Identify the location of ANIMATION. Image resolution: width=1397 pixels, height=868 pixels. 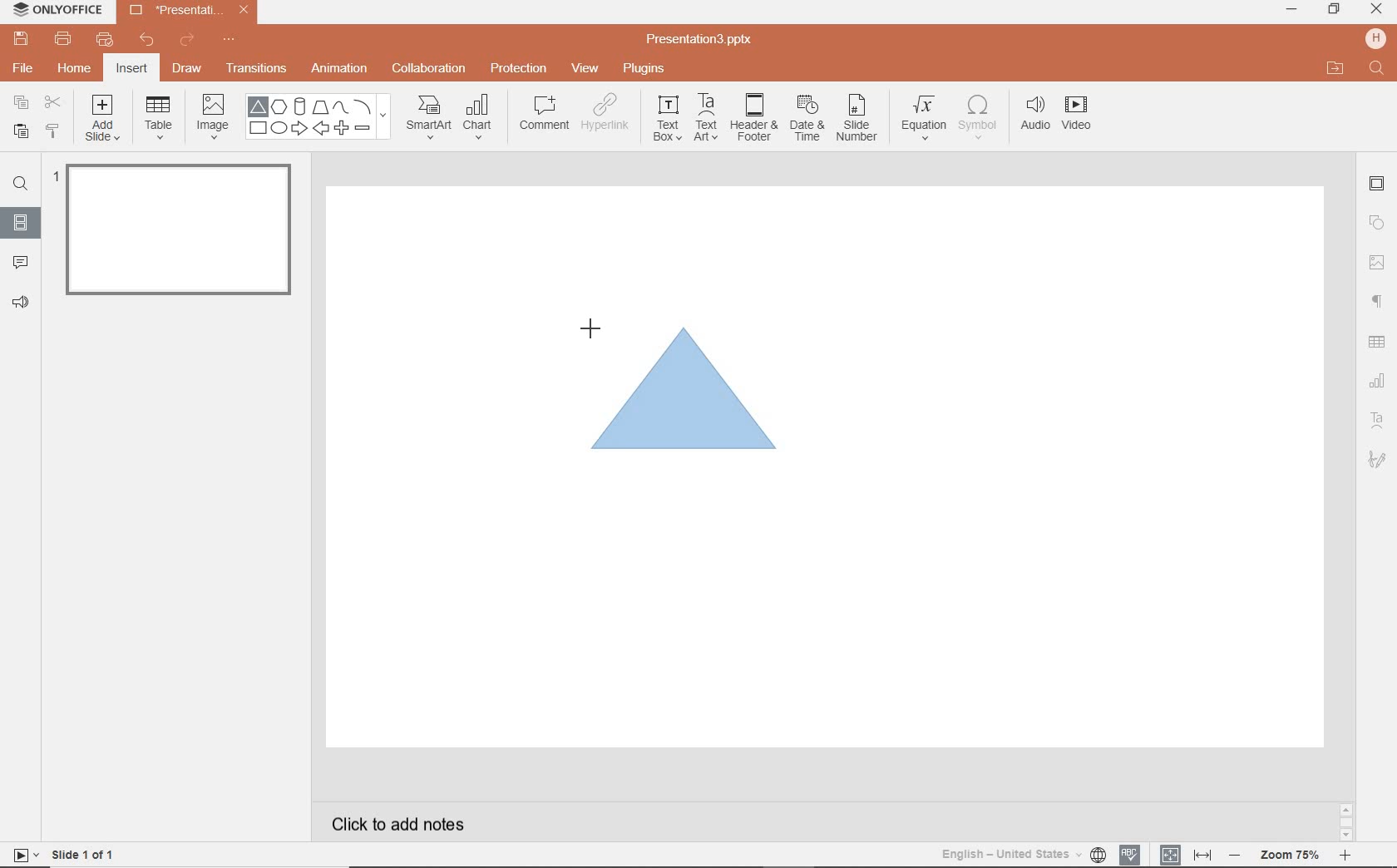
(338, 70).